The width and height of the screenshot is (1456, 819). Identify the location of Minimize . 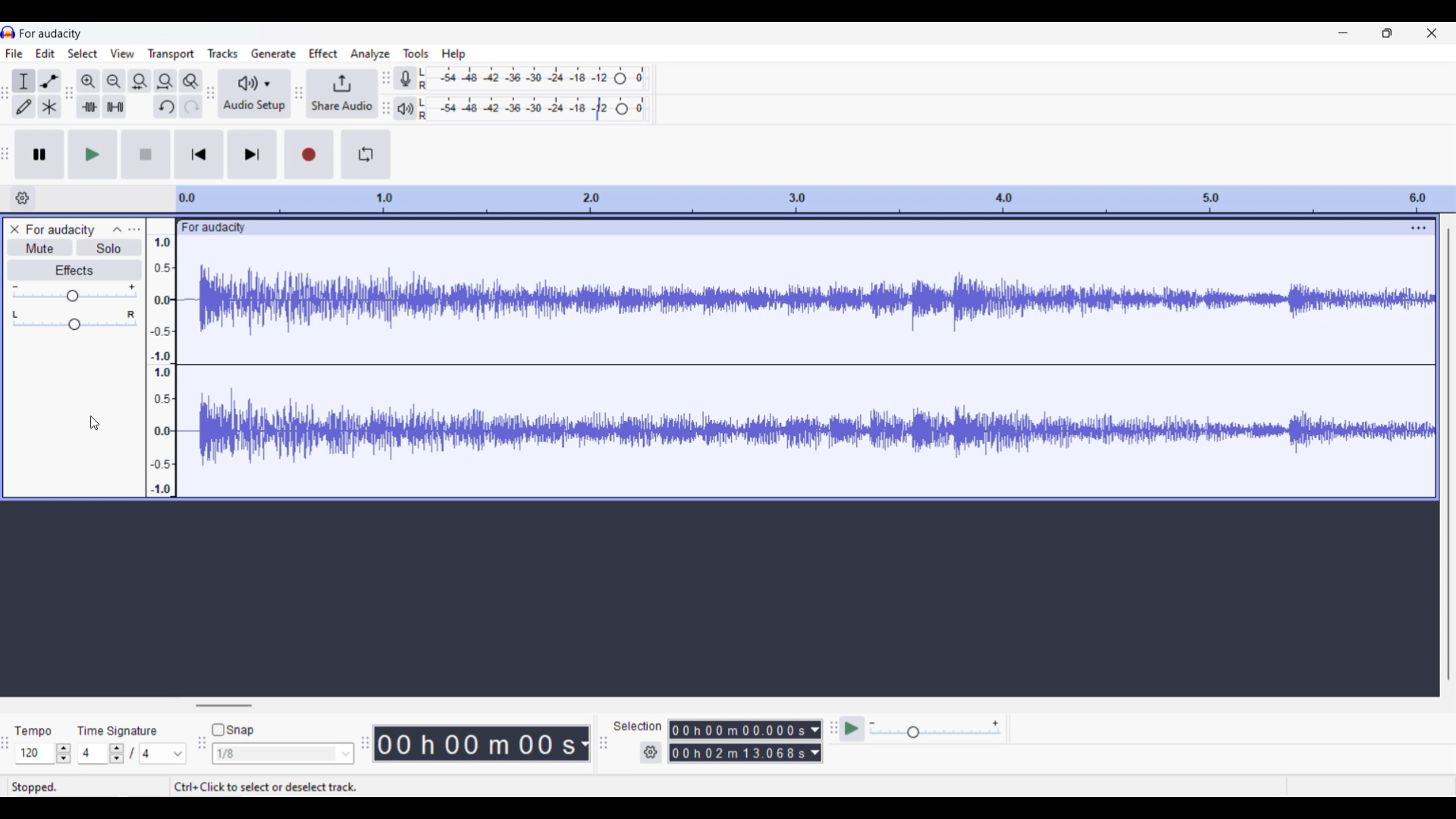
(1343, 33).